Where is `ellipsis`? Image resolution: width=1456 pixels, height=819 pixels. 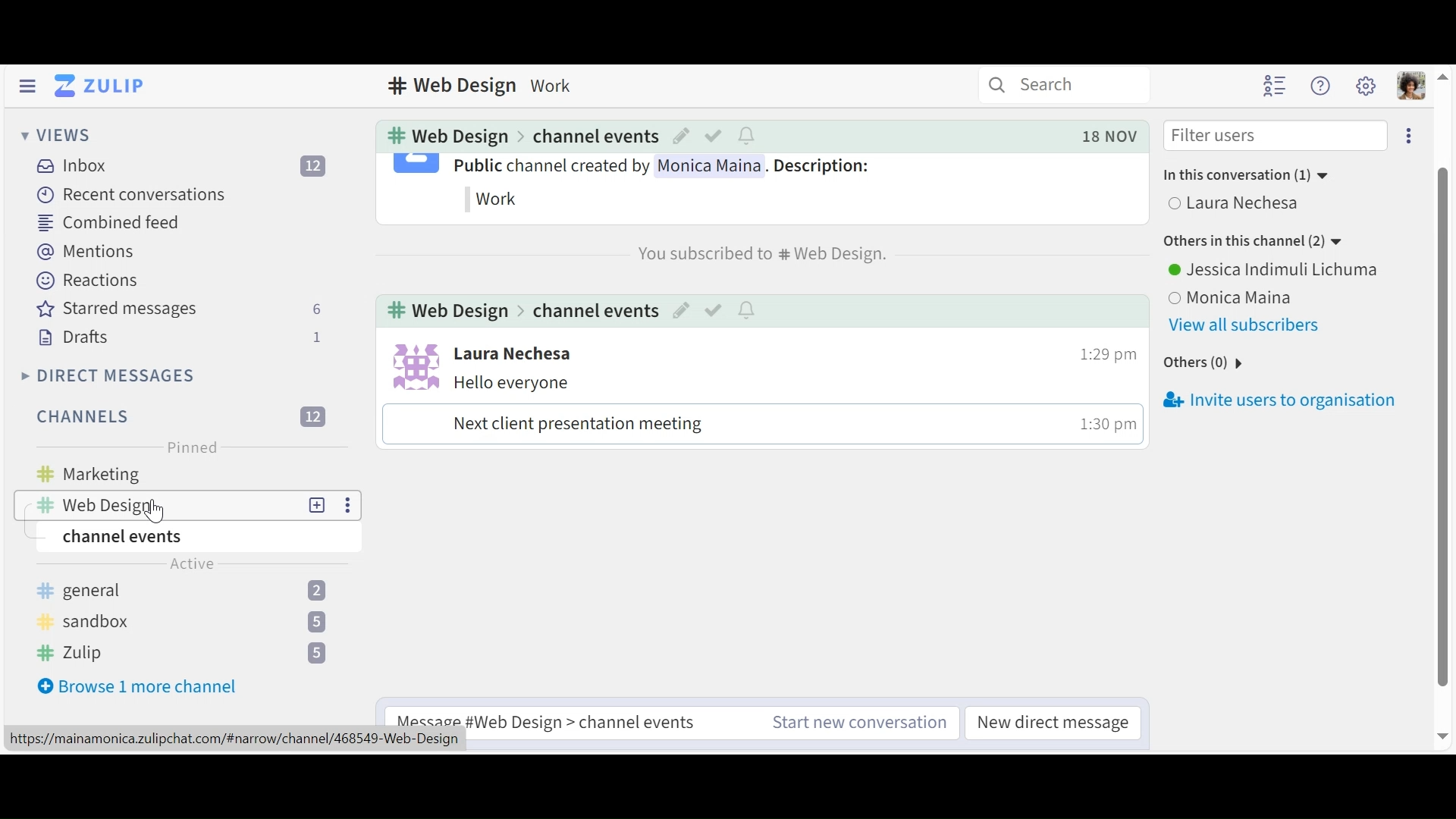
ellipsis is located at coordinates (1407, 137).